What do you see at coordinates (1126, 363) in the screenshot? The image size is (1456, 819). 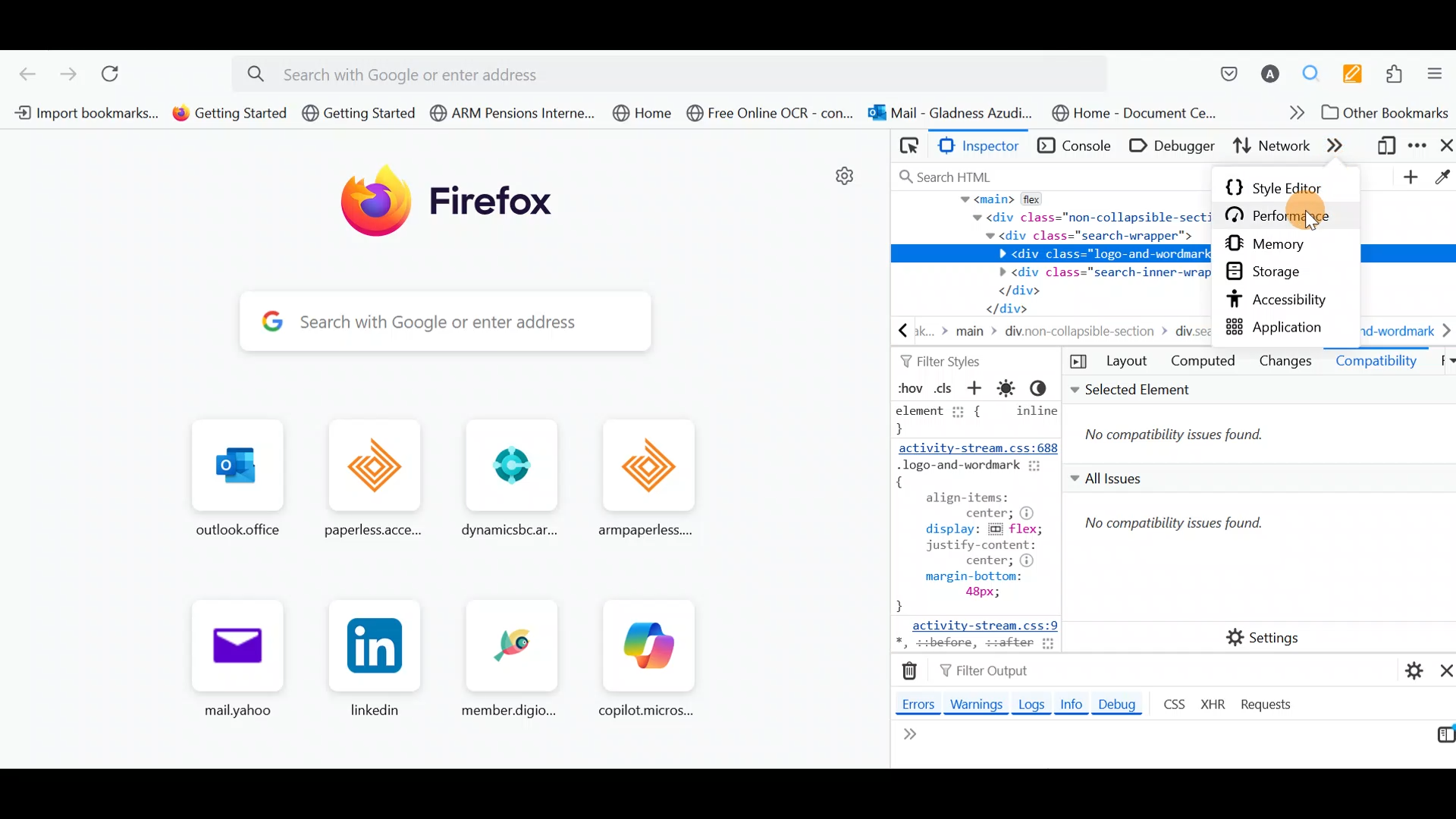 I see `Layout` at bounding box center [1126, 363].